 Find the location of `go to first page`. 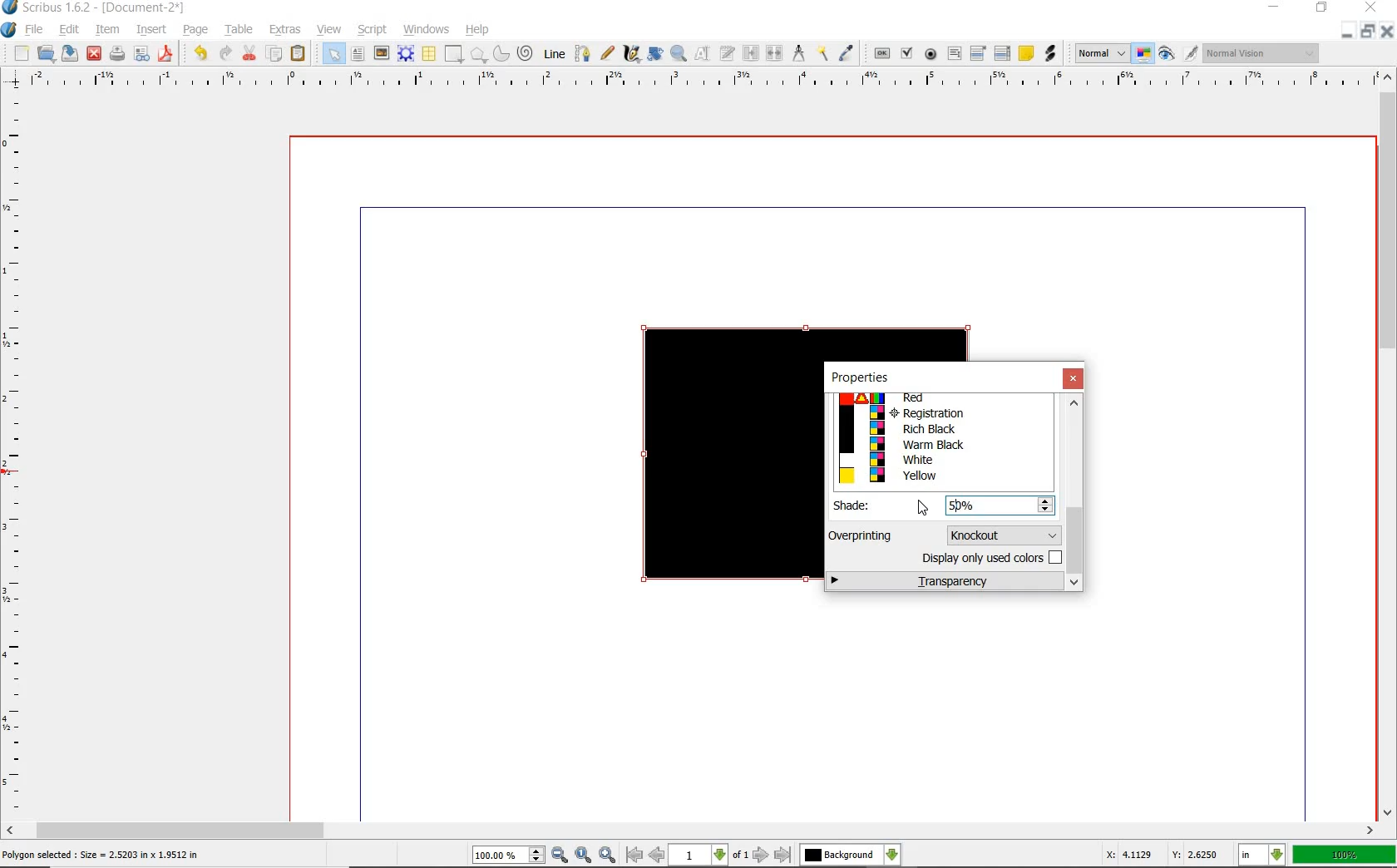

go to first page is located at coordinates (634, 856).